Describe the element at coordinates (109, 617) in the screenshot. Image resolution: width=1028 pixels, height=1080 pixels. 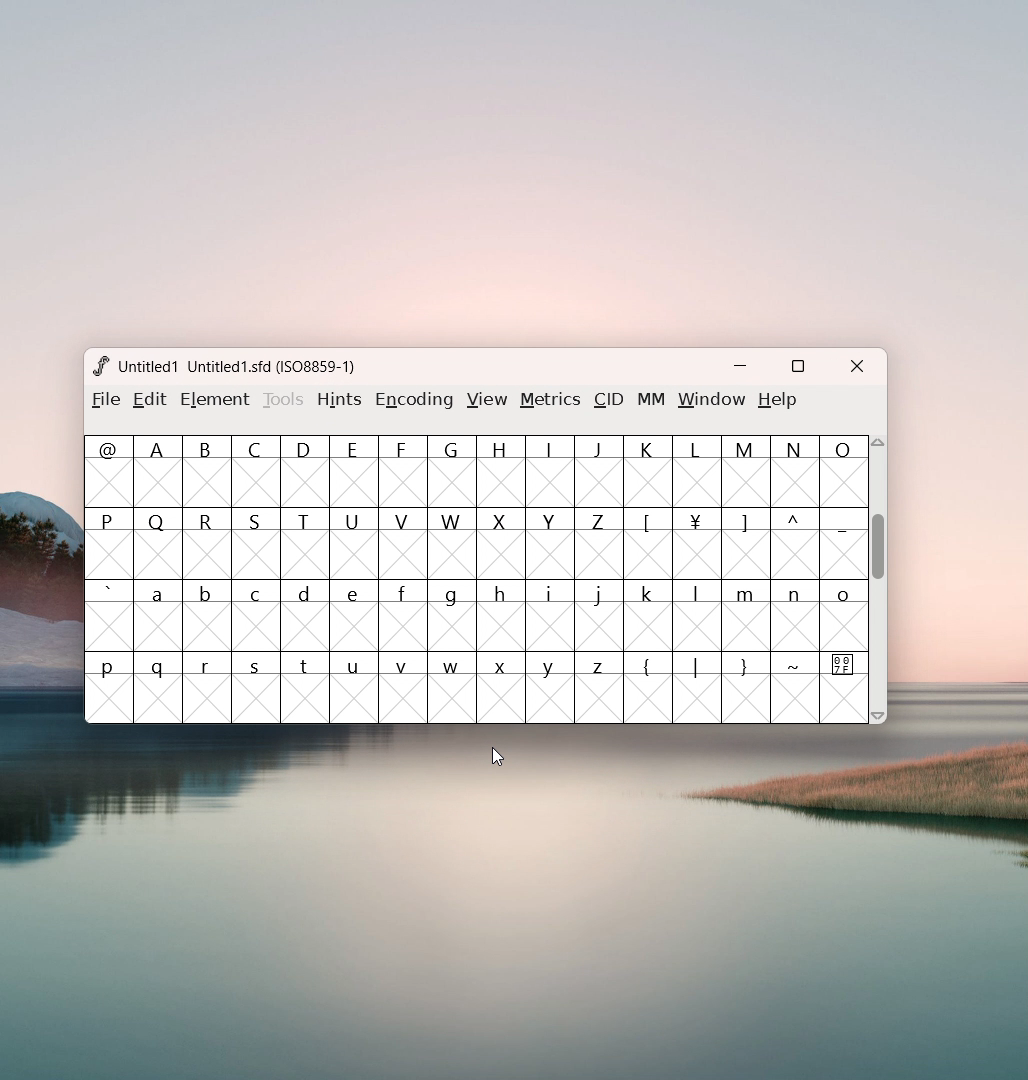
I see ``` at that location.